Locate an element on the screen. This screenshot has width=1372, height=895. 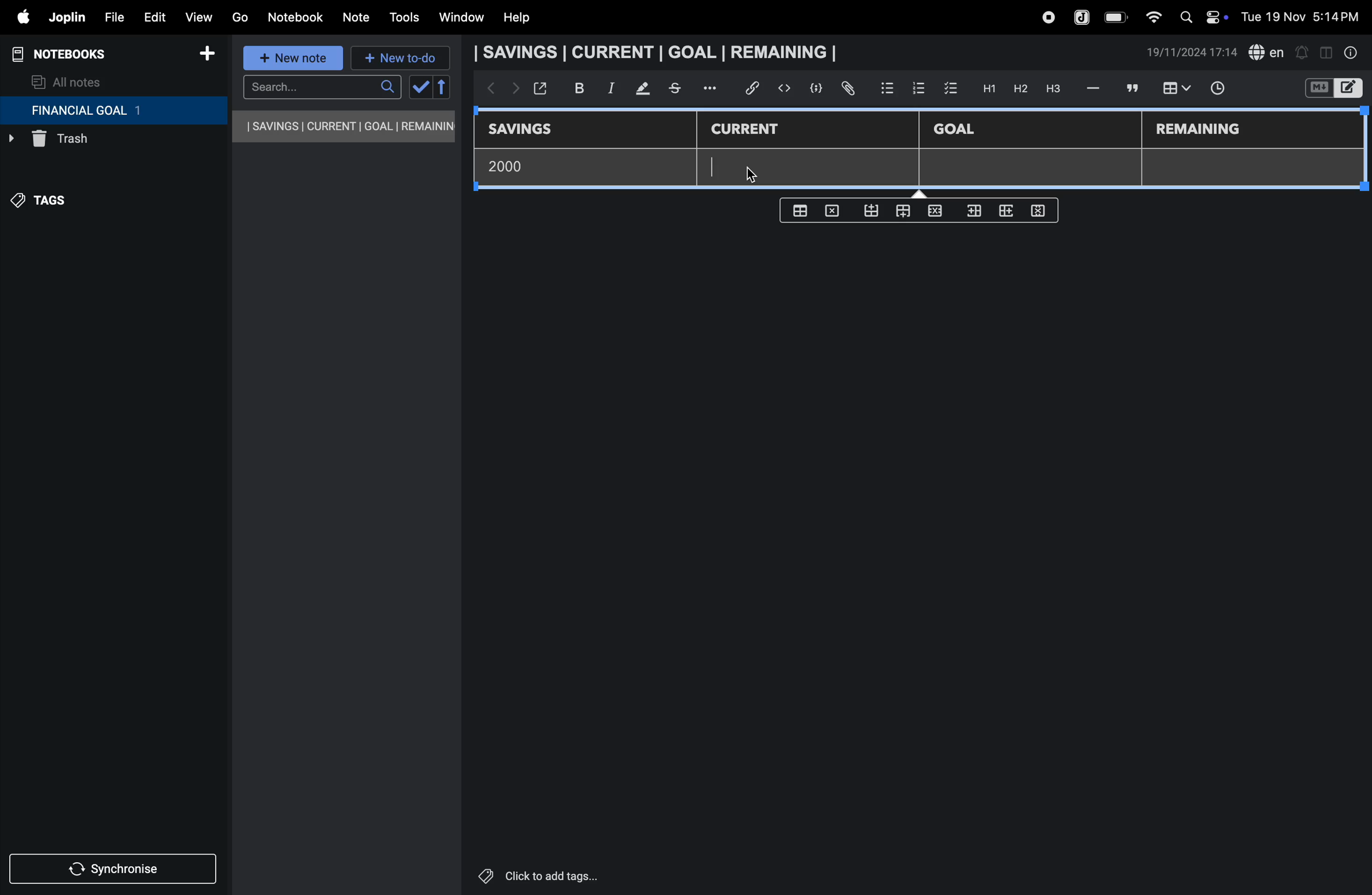
toggle editor is located at coordinates (1326, 51).